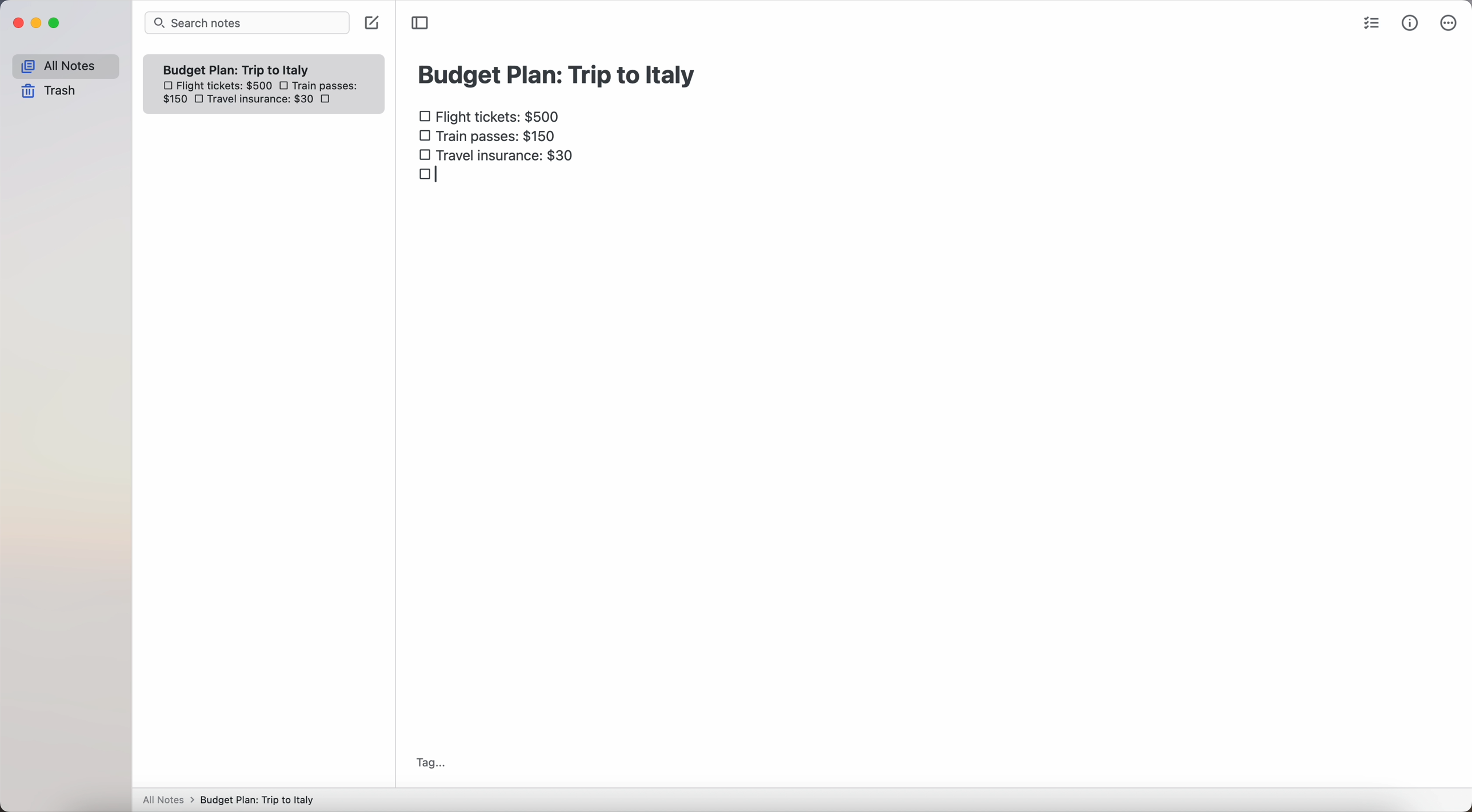  I want to click on train passes, so click(327, 87).